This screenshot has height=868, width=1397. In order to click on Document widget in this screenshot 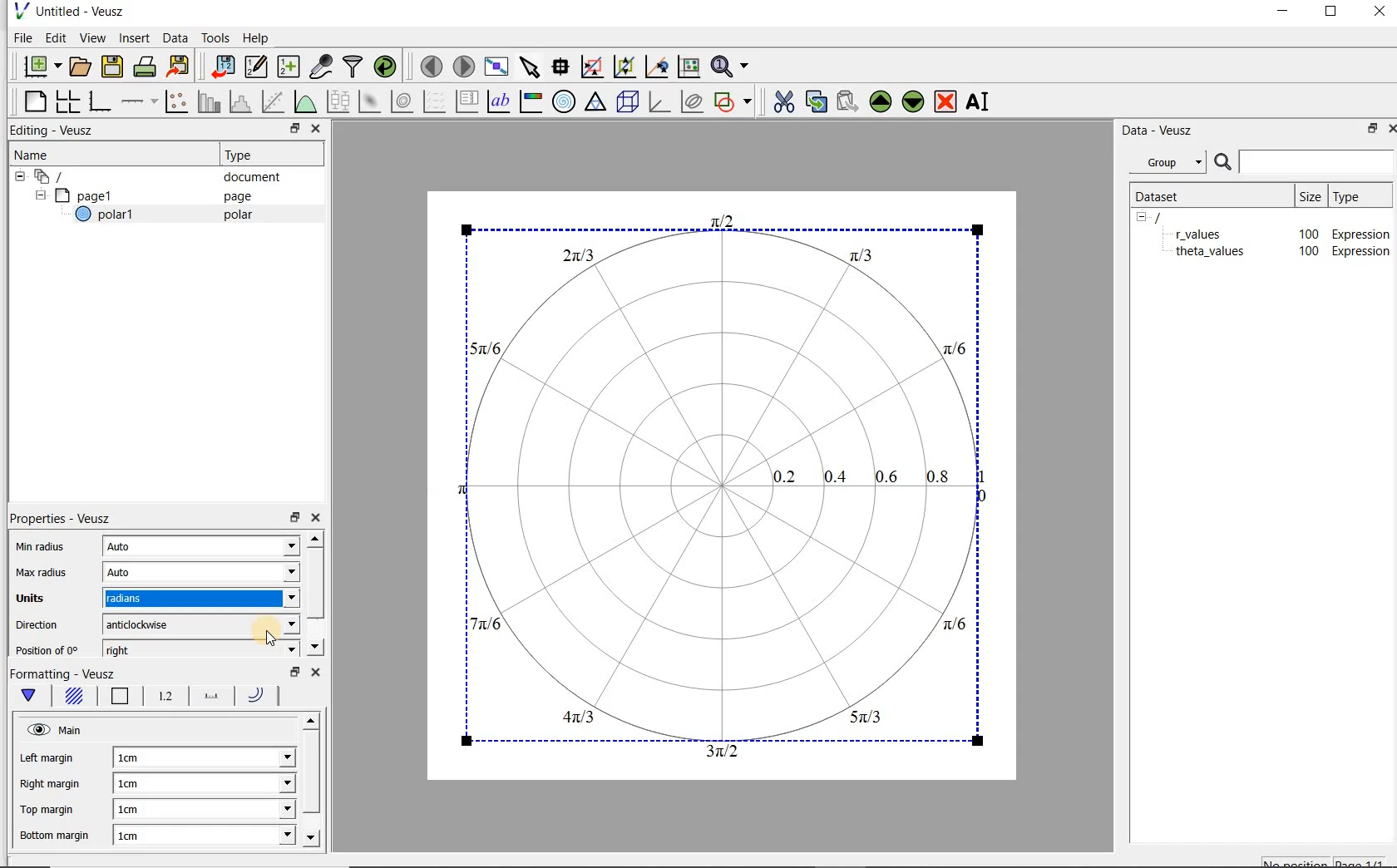, I will do `click(78, 176)`.